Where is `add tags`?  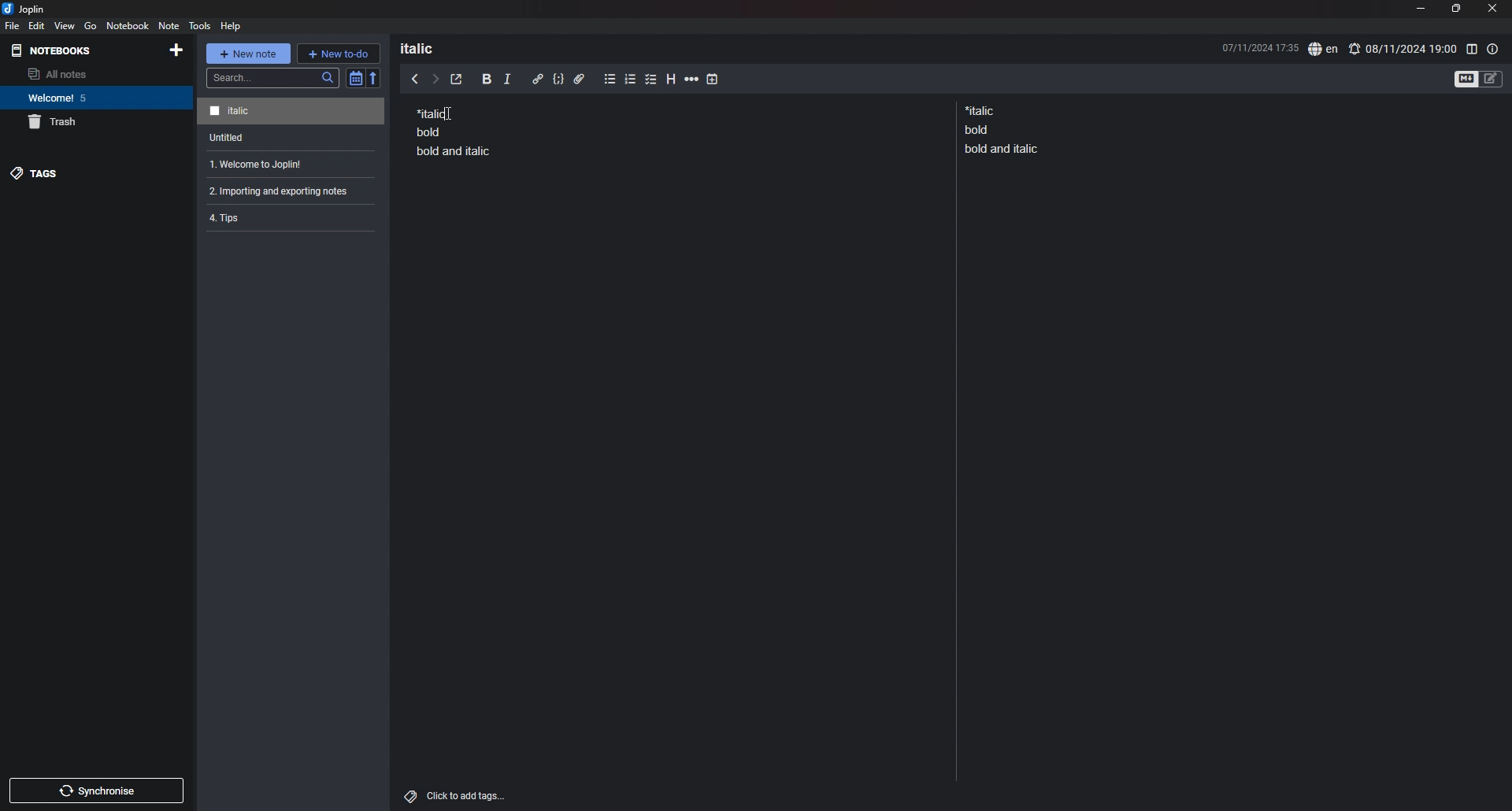 add tags is located at coordinates (457, 796).